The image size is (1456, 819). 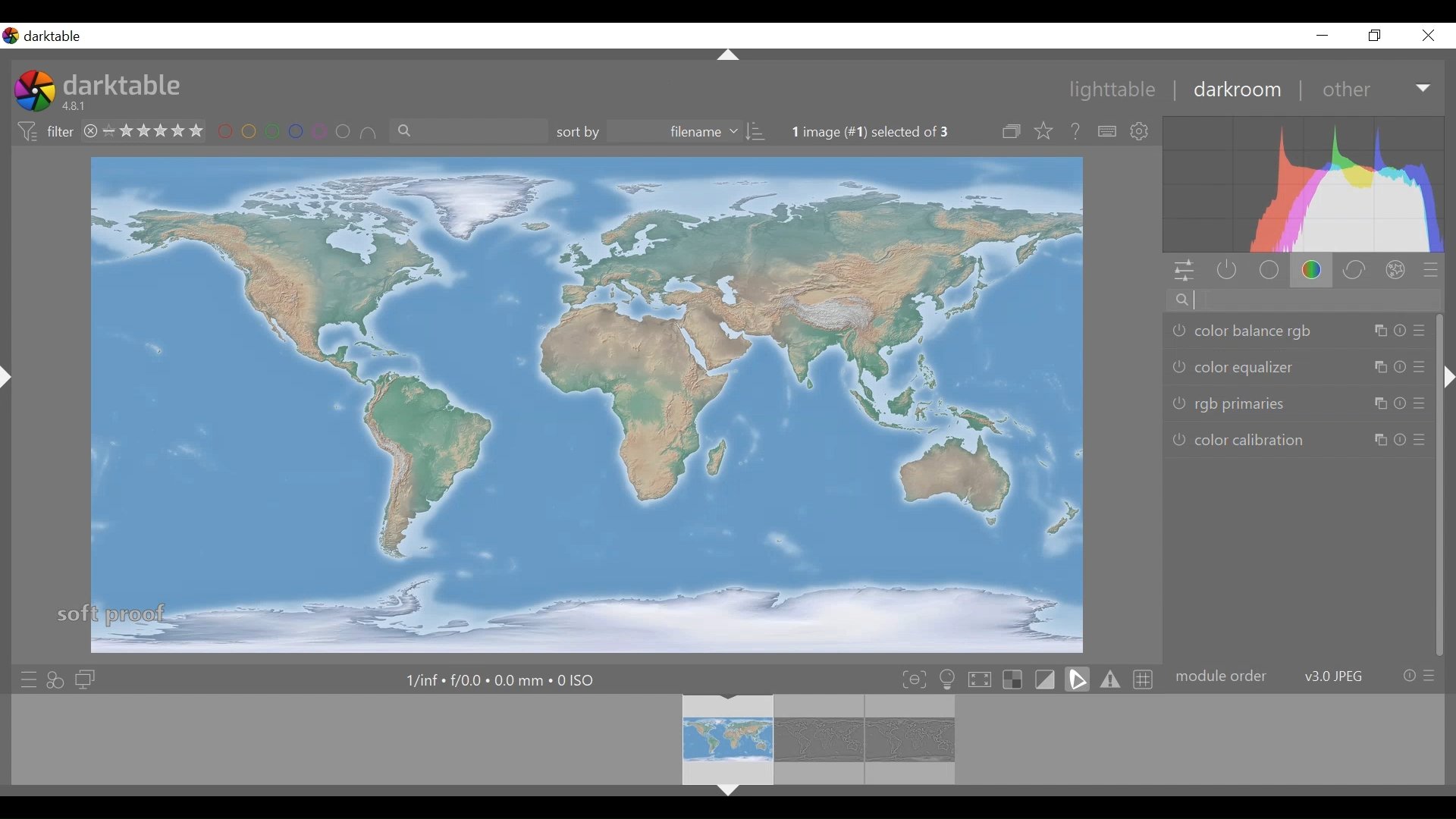 What do you see at coordinates (144, 130) in the screenshot?
I see `range rating` at bounding box center [144, 130].